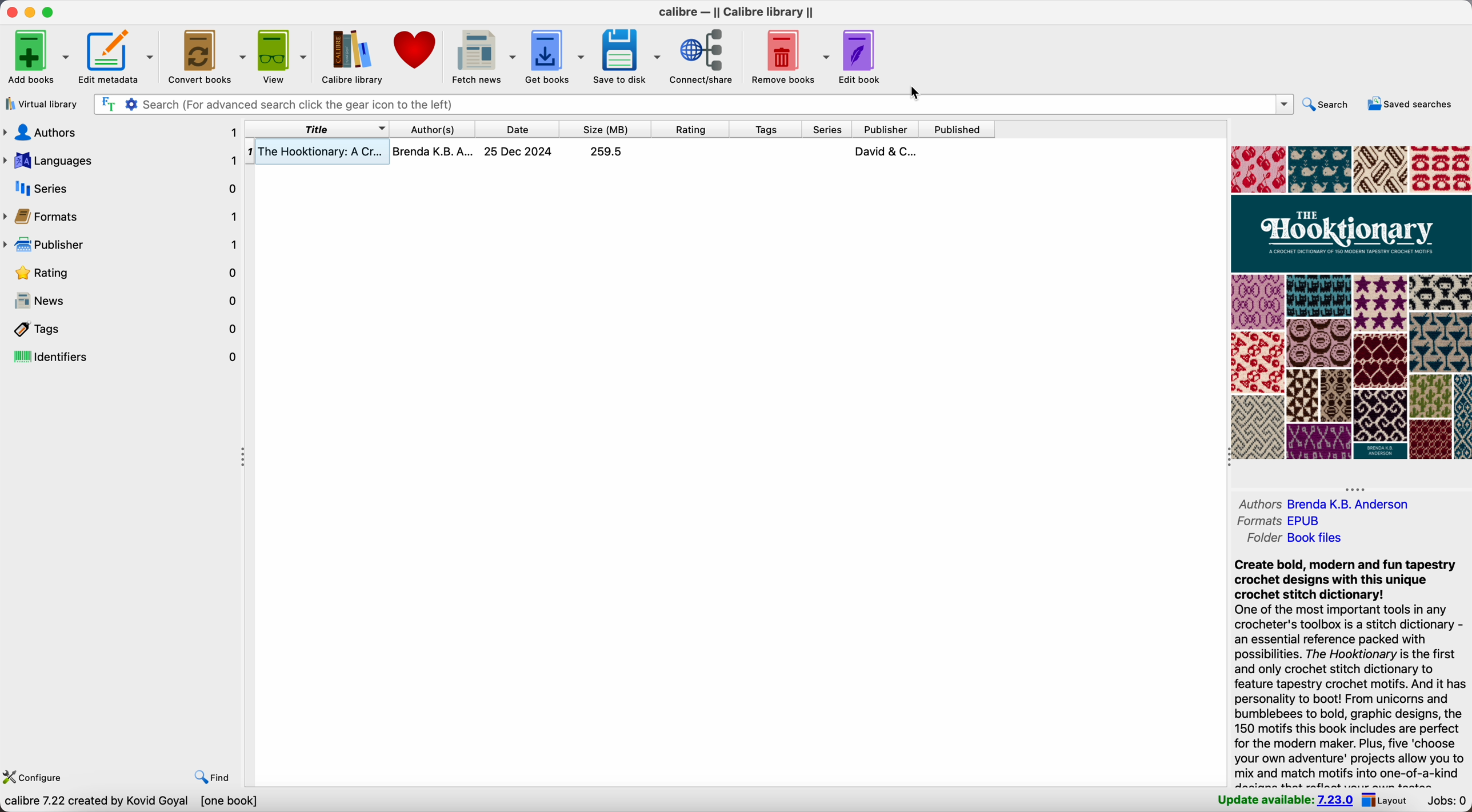  Describe the element at coordinates (693, 106) in the screenshot. I see `search bar` at that location.